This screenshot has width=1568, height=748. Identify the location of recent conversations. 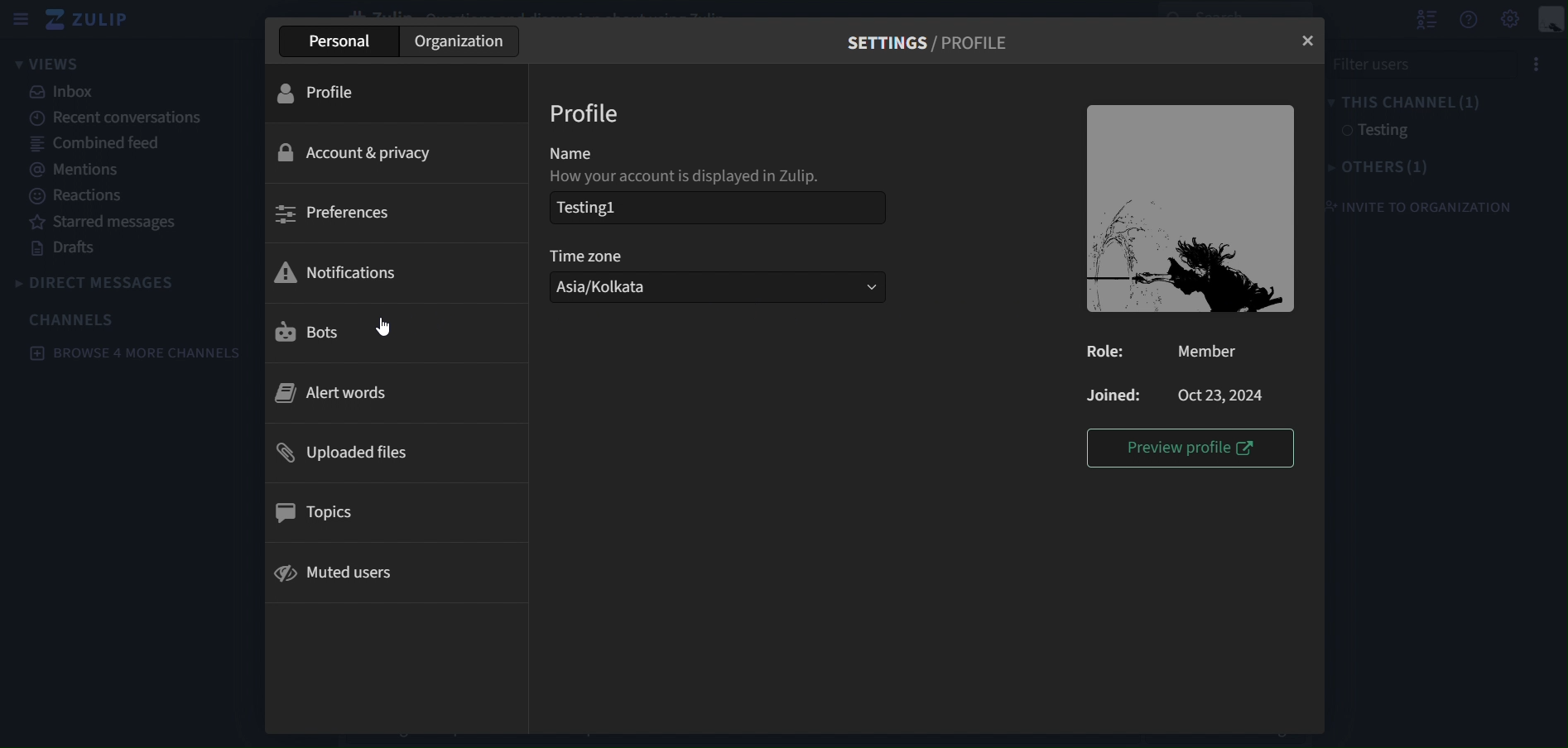
(118, 119).